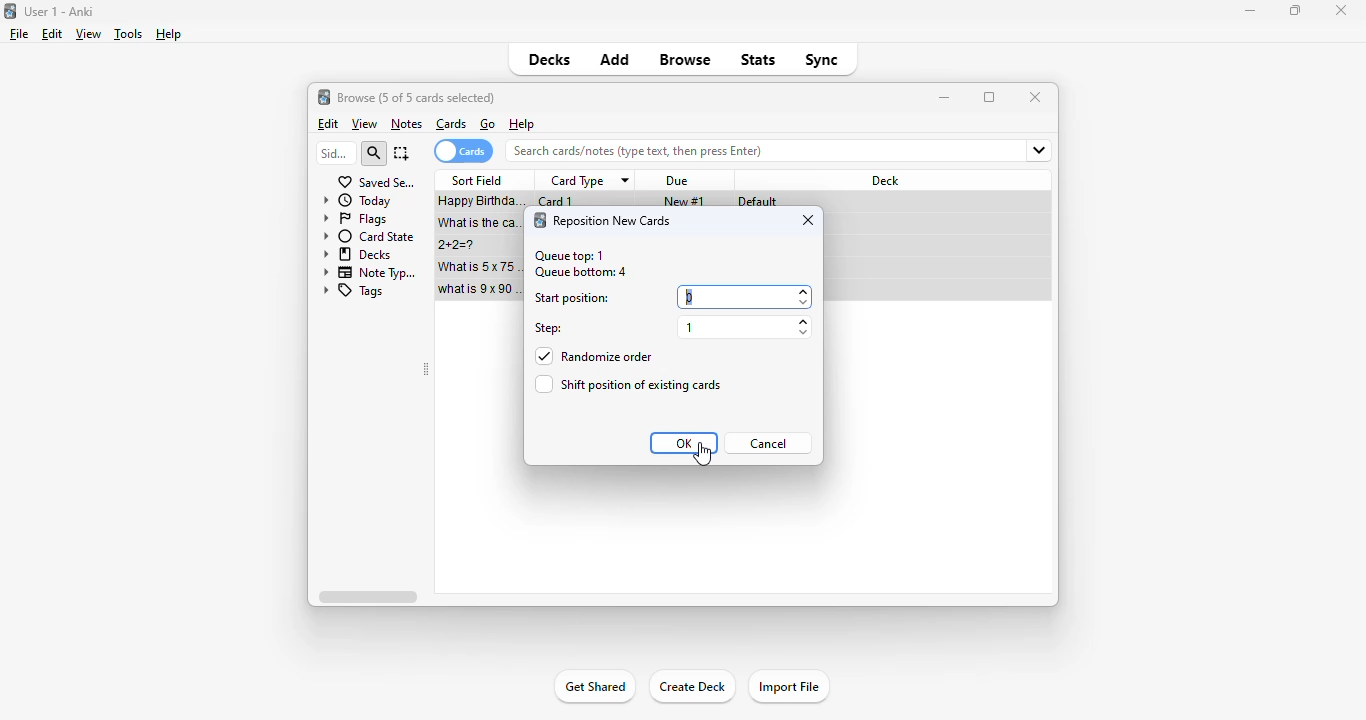  Describe the element at coordinates (547, 329) in the screenshot. I see `step:` at that location.